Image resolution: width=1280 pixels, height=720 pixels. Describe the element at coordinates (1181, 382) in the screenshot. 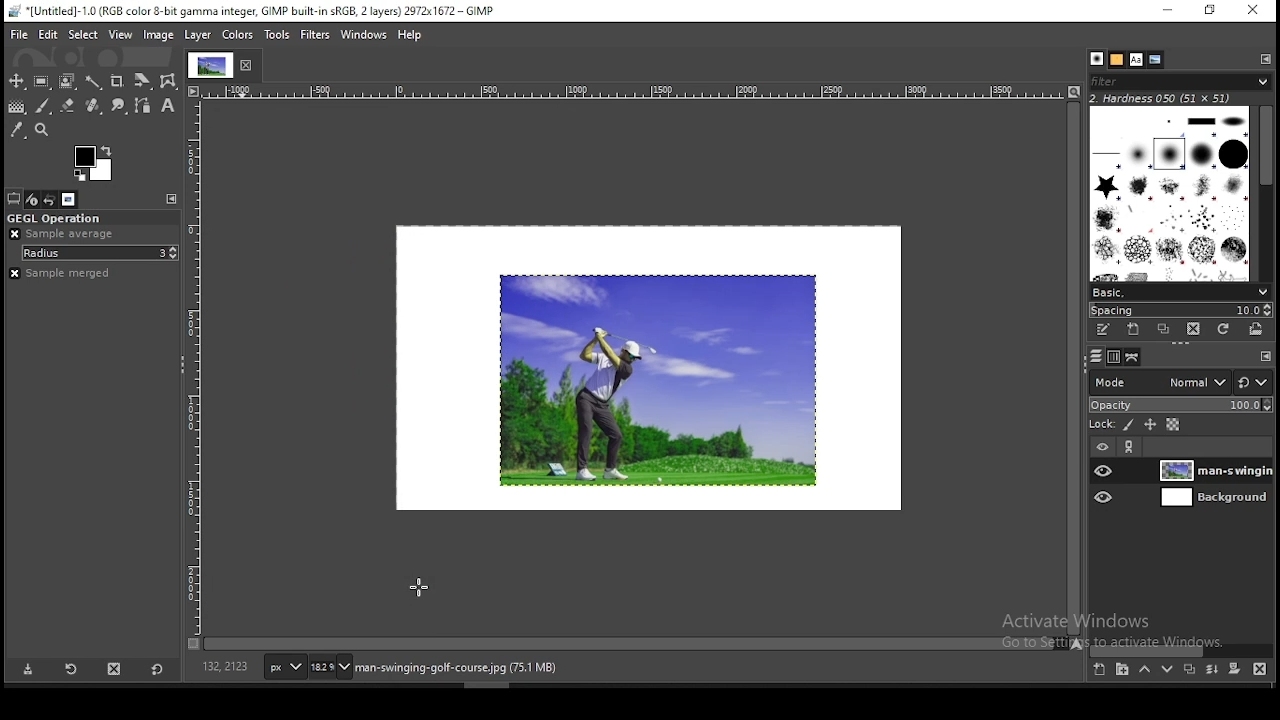

I see `blend mode` at that location.